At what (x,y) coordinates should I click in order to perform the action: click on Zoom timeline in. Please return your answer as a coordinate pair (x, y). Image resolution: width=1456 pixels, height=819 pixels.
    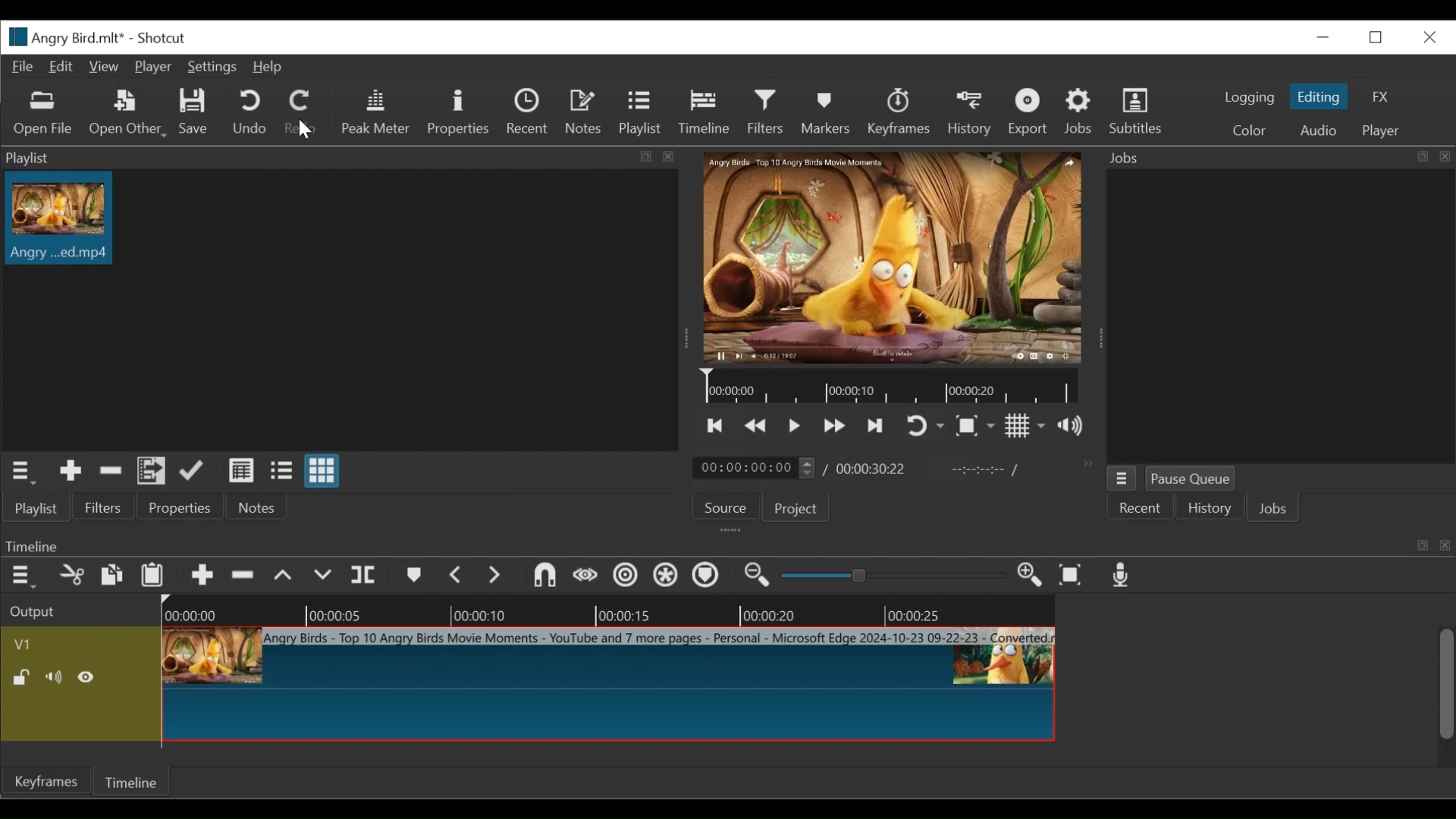
    Looking at the image, I should click on (1030, 576).